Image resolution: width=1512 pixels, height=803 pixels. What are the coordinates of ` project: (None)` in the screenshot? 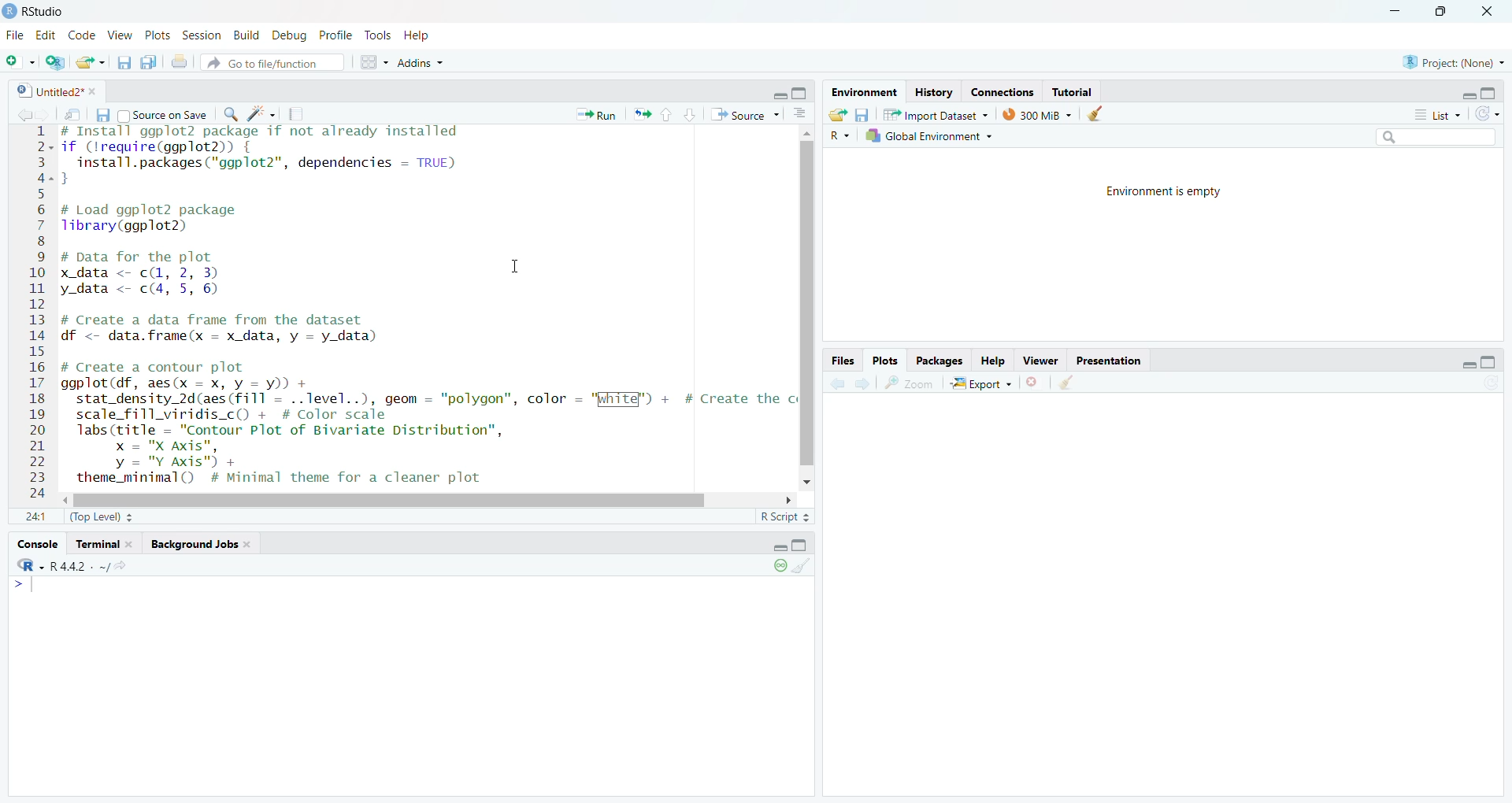 It's located at (1453, 61).